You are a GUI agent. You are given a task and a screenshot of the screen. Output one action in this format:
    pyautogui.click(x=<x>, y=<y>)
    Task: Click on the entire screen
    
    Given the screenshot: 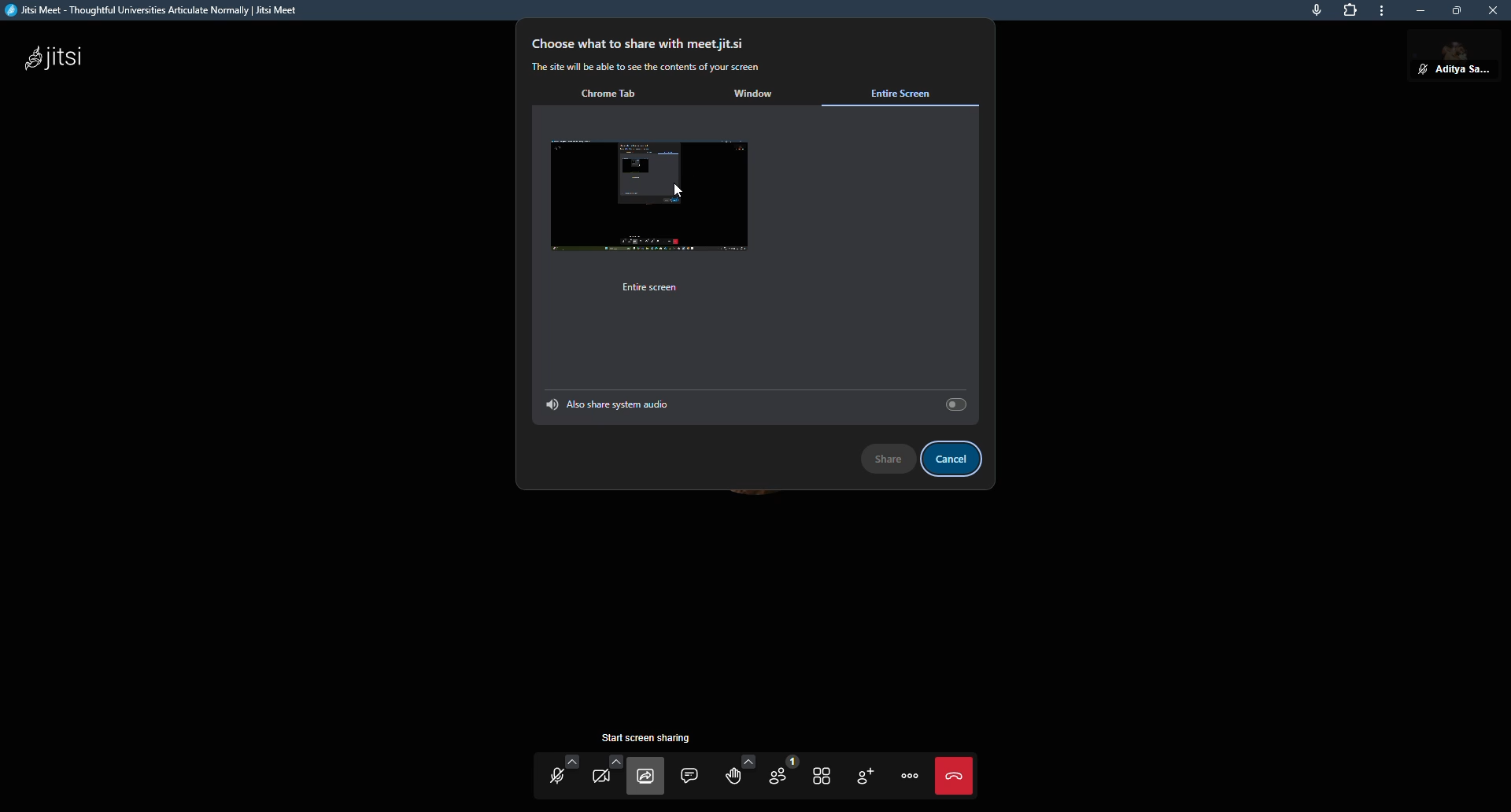 What is the action you would take?
    pyautogui.click(x=656, y=287)
    